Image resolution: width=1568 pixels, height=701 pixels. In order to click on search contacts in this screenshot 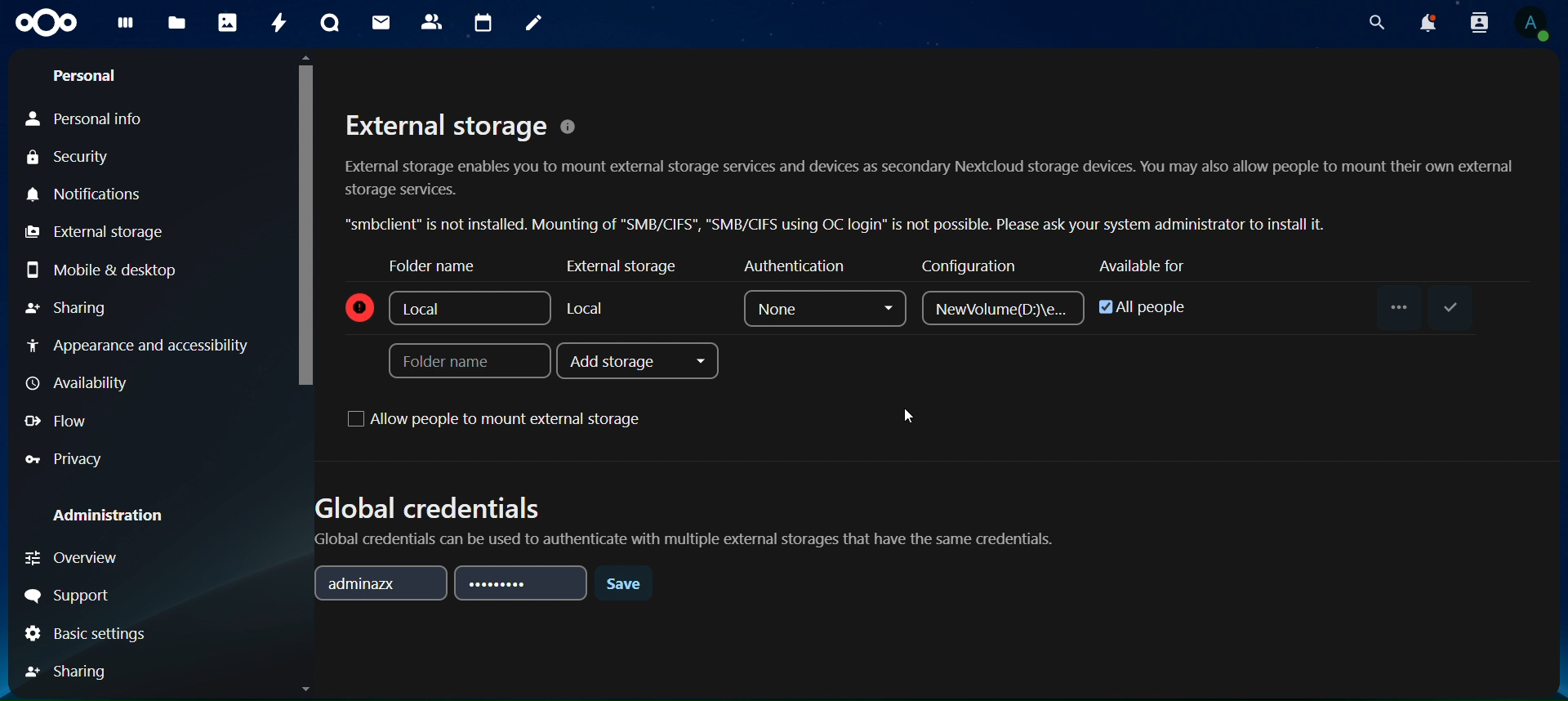, I will do `click(1479, 23)`.